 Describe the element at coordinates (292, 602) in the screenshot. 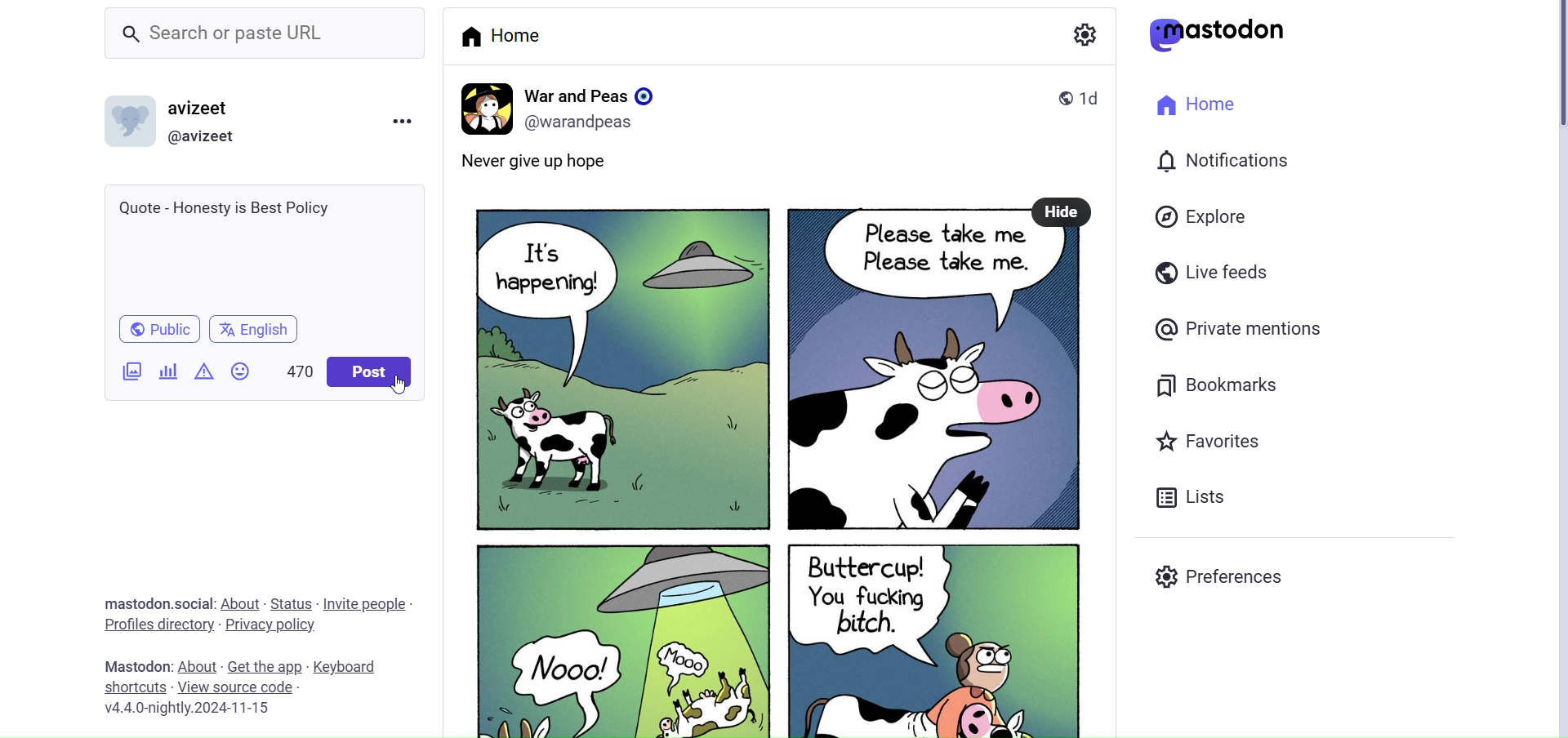

I see `Status` at that location.